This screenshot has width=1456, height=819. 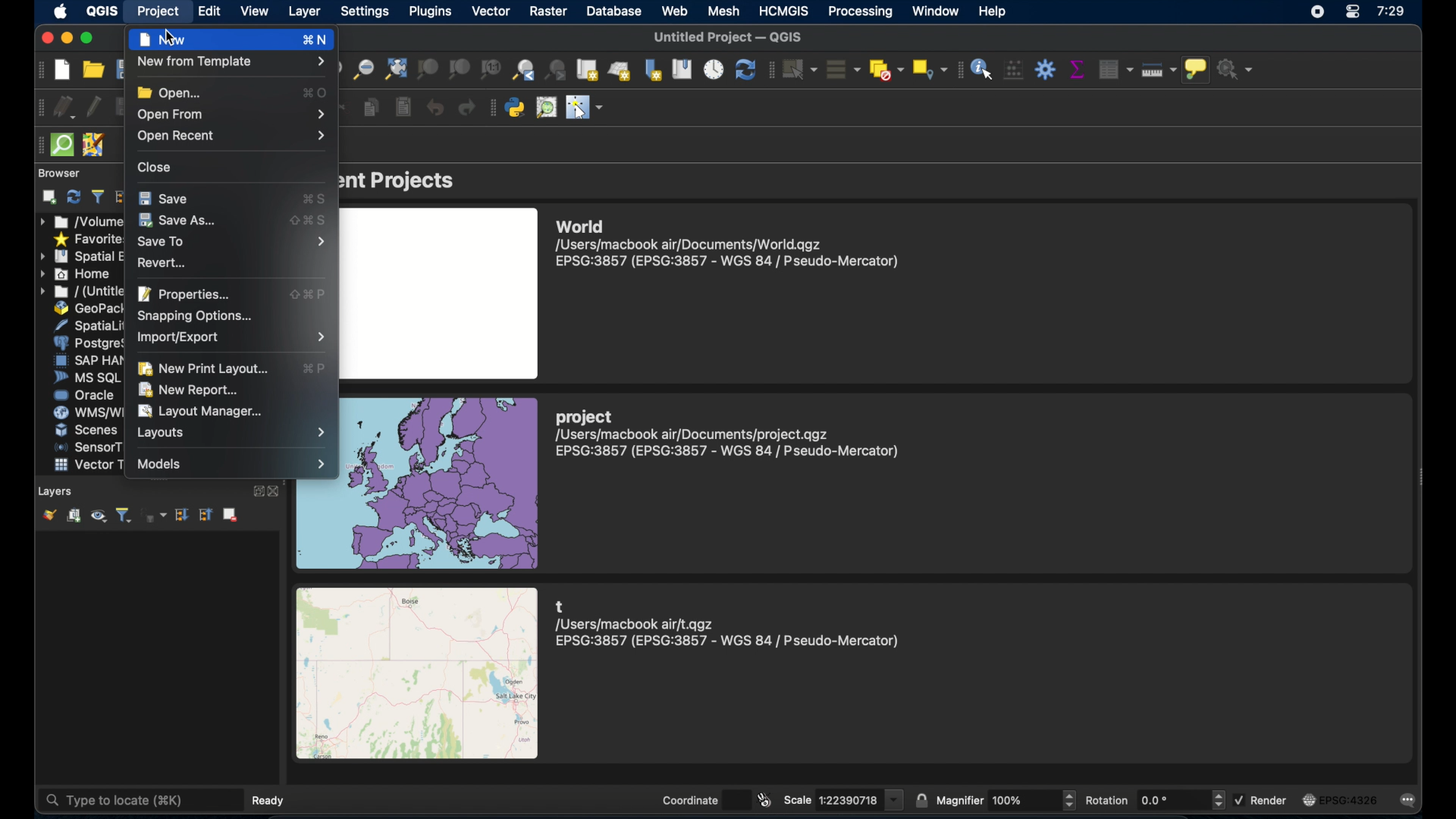 I want to click on manage map theme, so click(x=98, y=516).